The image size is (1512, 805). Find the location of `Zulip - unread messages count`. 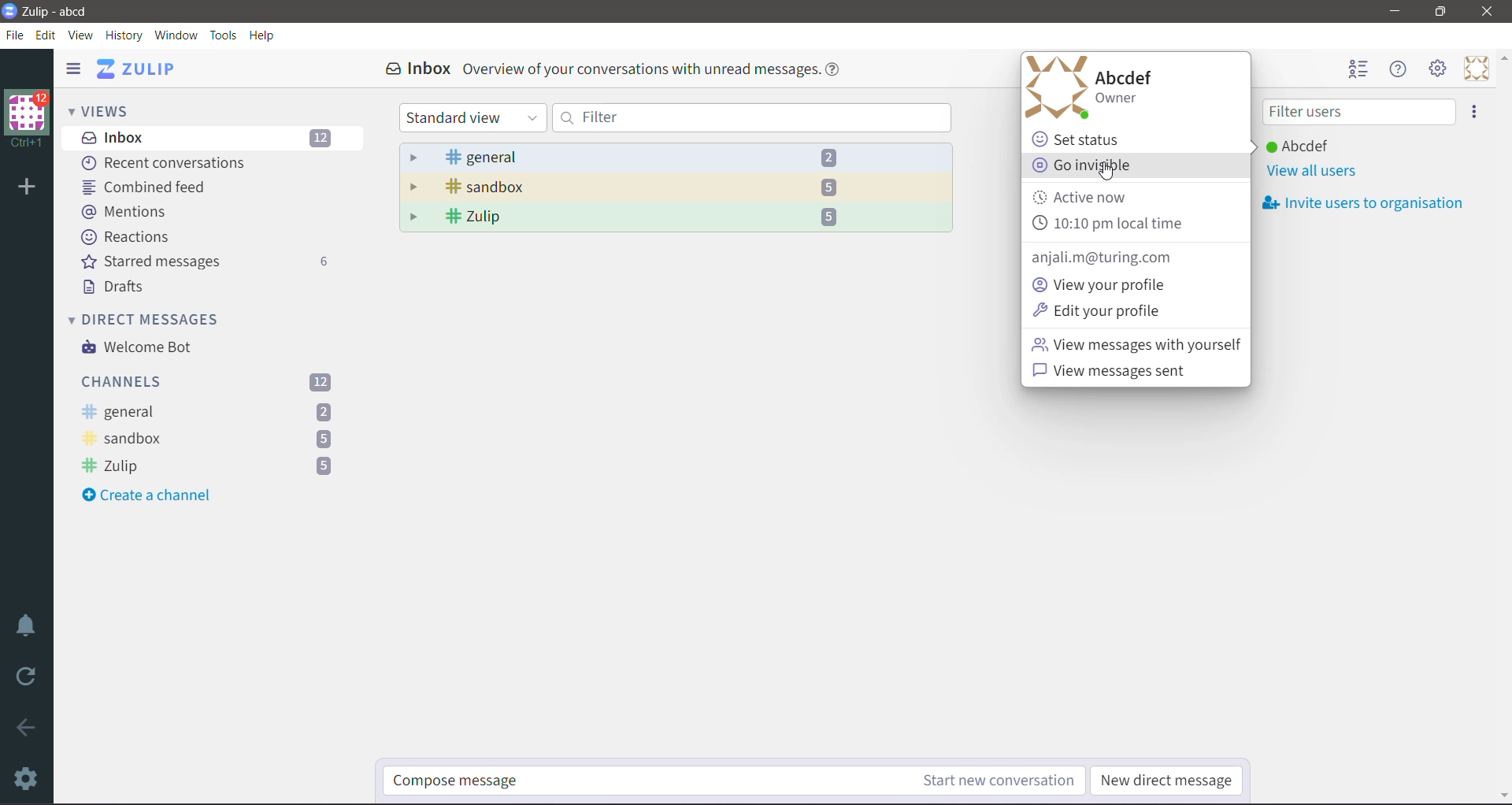

Zulip - unread messages count is located at coordinates (209, 466).